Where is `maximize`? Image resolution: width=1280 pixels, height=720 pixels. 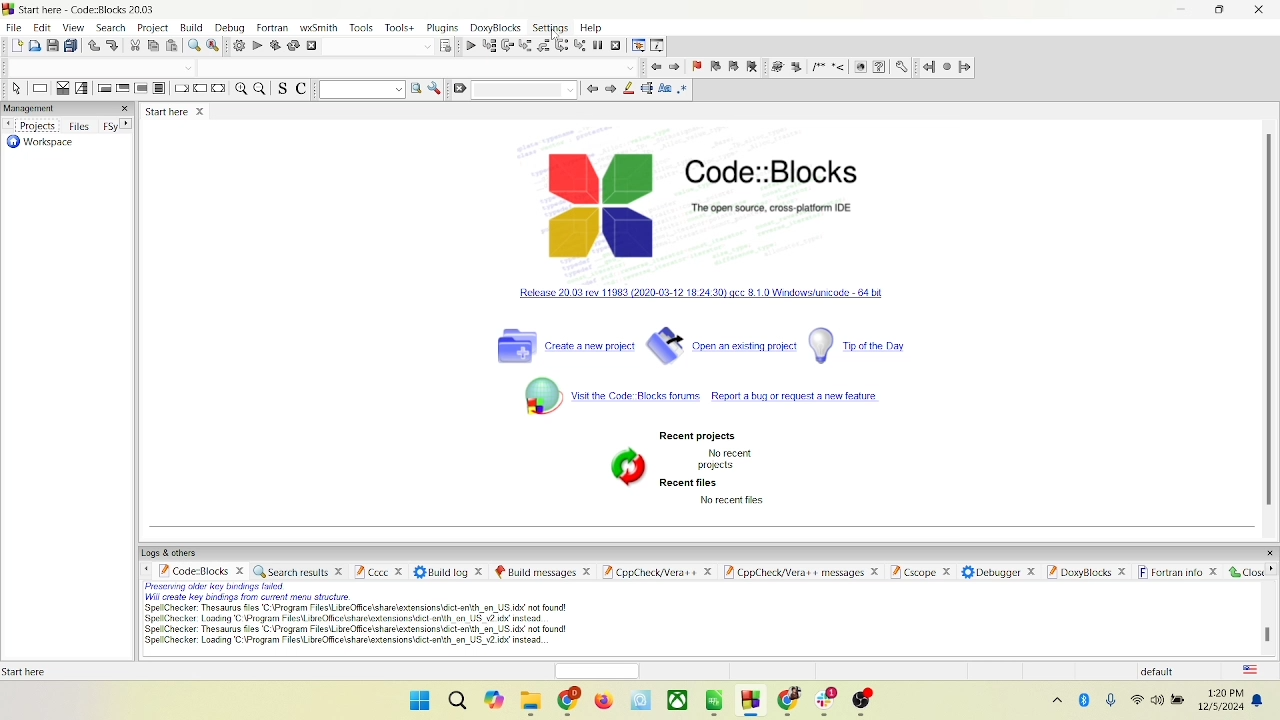 maximize is located at coordinates (1223, 12).